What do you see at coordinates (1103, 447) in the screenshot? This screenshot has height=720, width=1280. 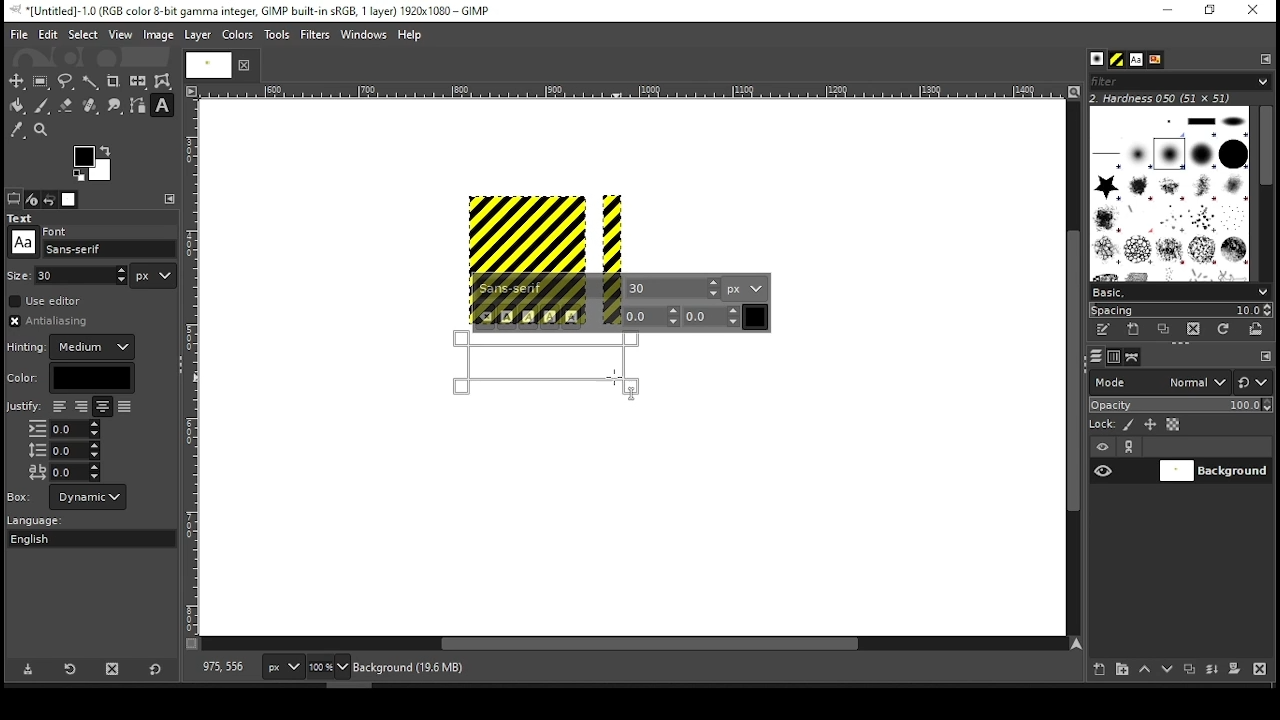 I see `layer visibility` at bounding box center [1103, 447].